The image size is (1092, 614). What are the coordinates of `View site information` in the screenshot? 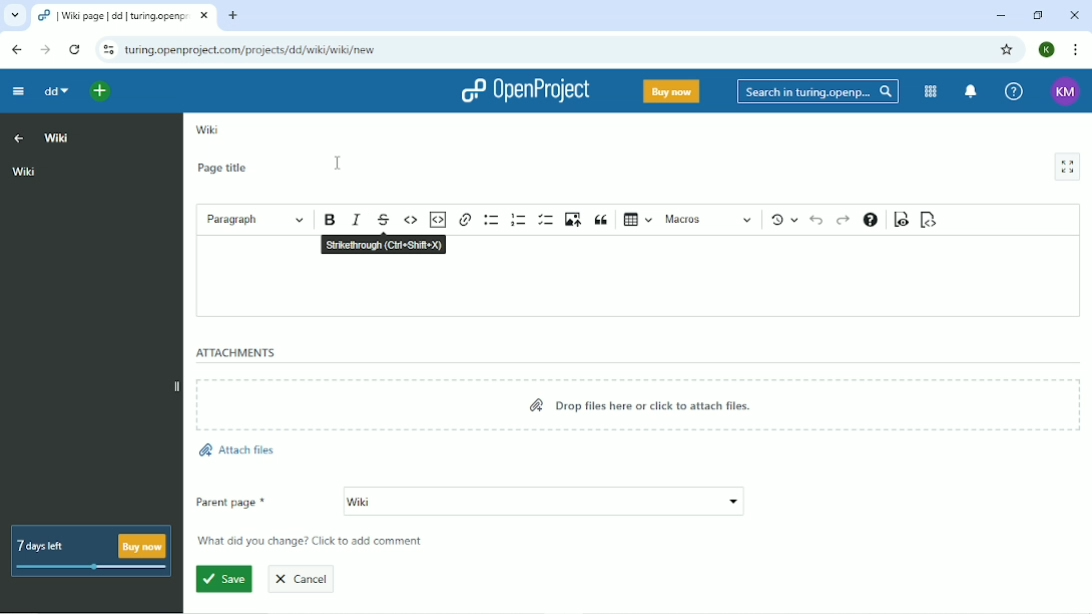 It's located at (106, 50).